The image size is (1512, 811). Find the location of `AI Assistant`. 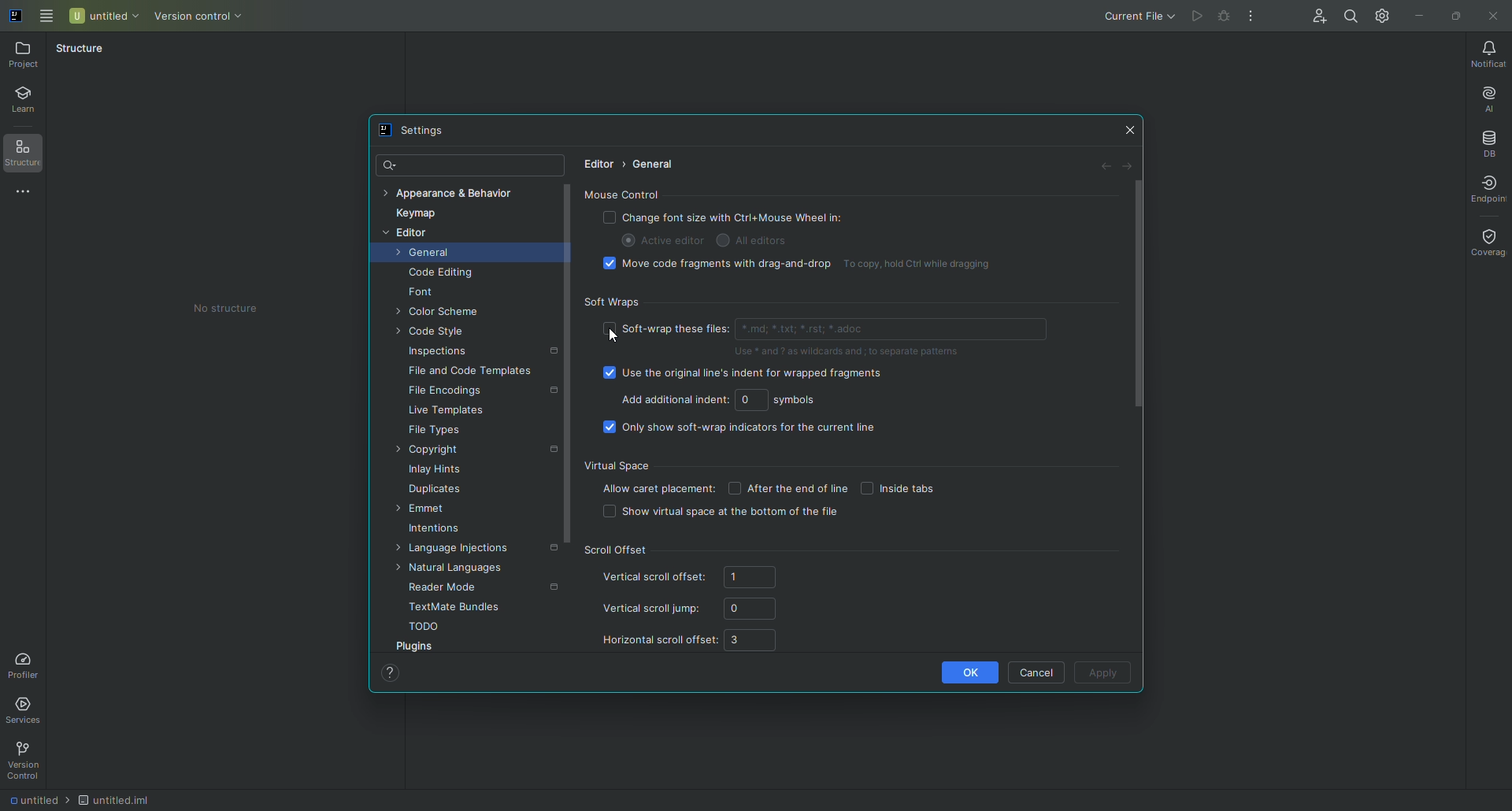

AI Assistant is located at coordinates (1487, 96).